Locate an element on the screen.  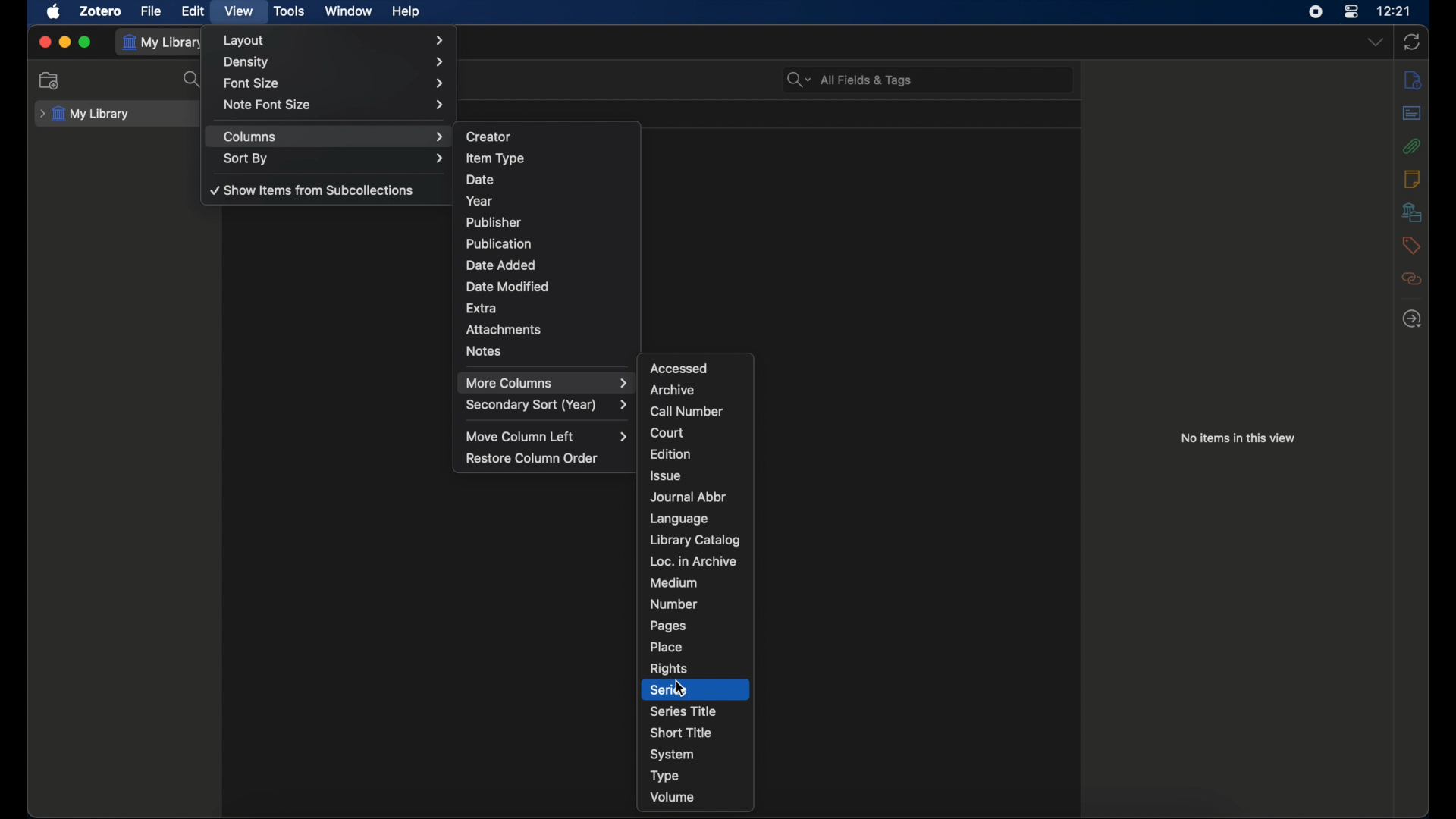
short title is located at coordinates (681, 732).